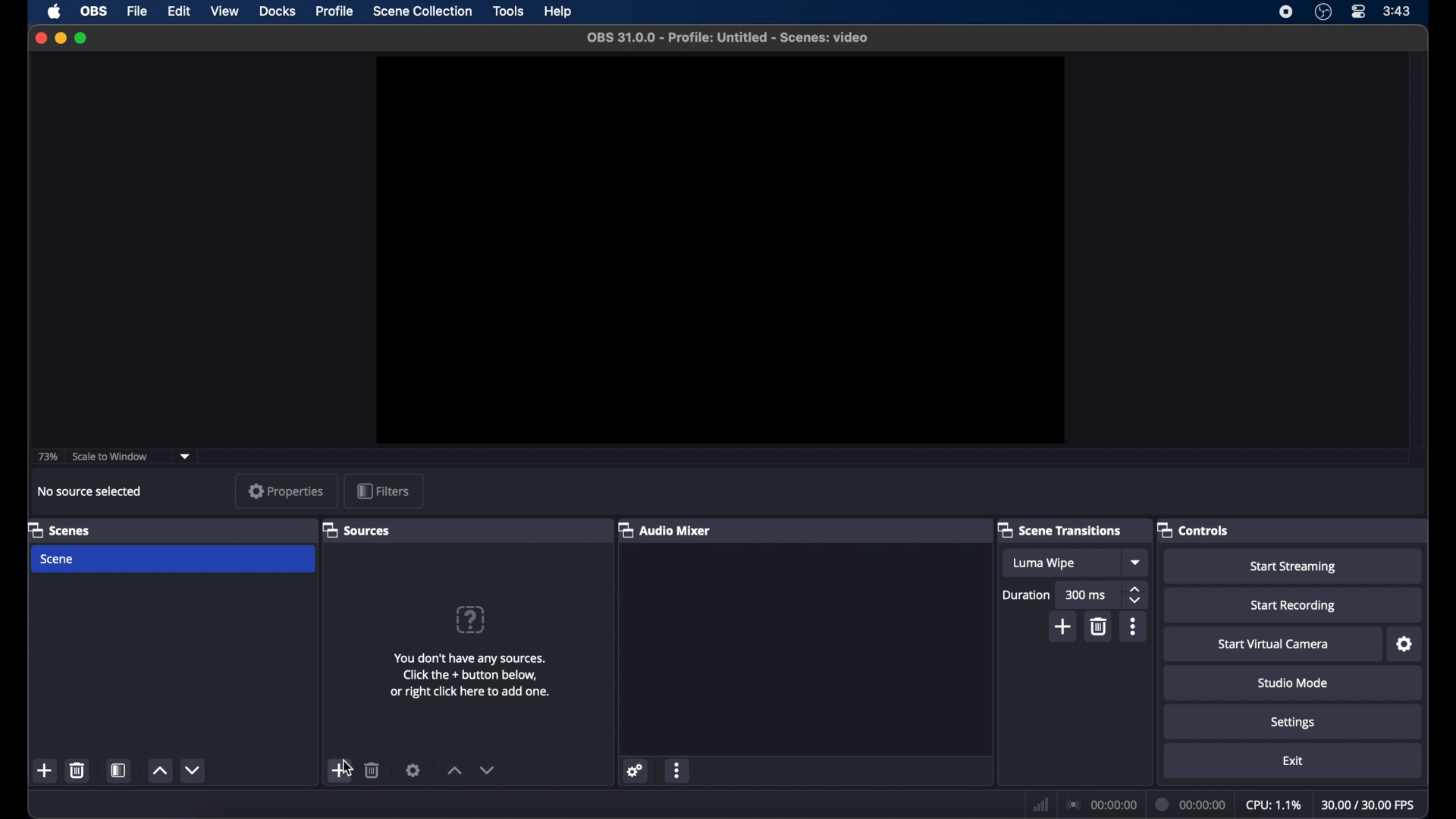  What do you see at coordinates (159, 770) in the screenshot?
I see `increment` at bounding box center [159, 770].